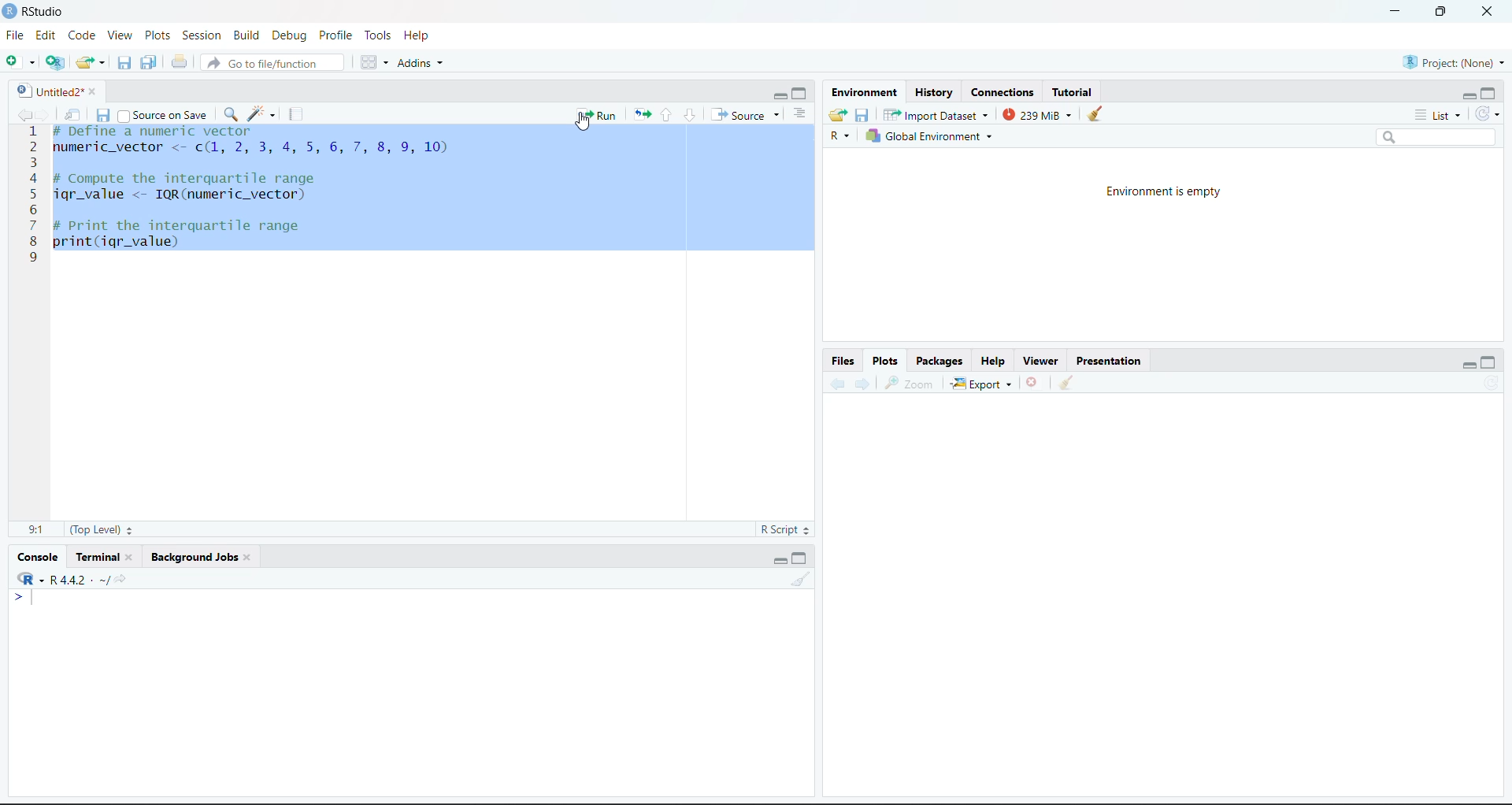  I want to click on Save workspace as, so click(863, 117).